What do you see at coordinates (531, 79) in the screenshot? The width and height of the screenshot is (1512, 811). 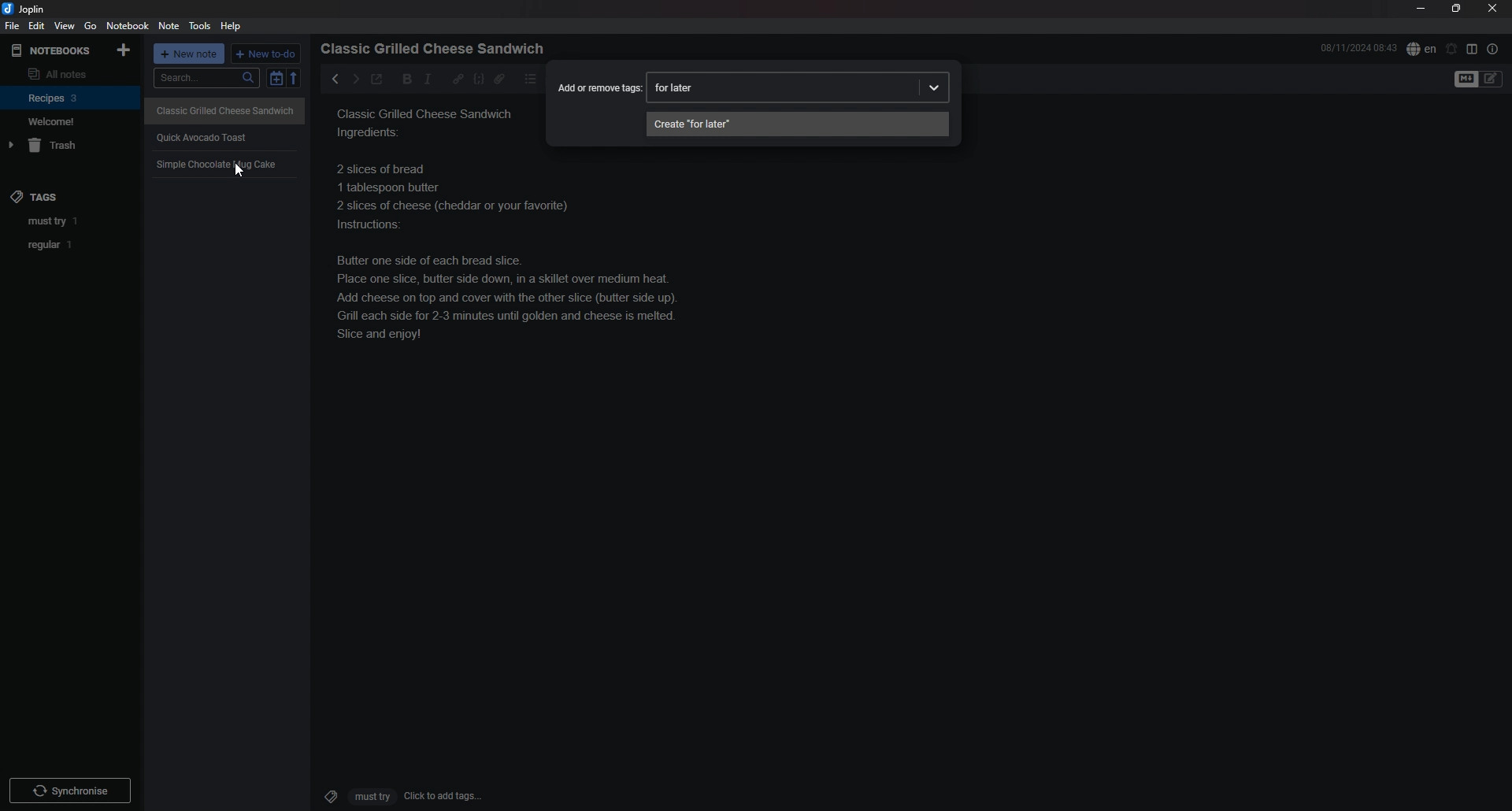 I see `bullet list` at bounding box center [531, 79].